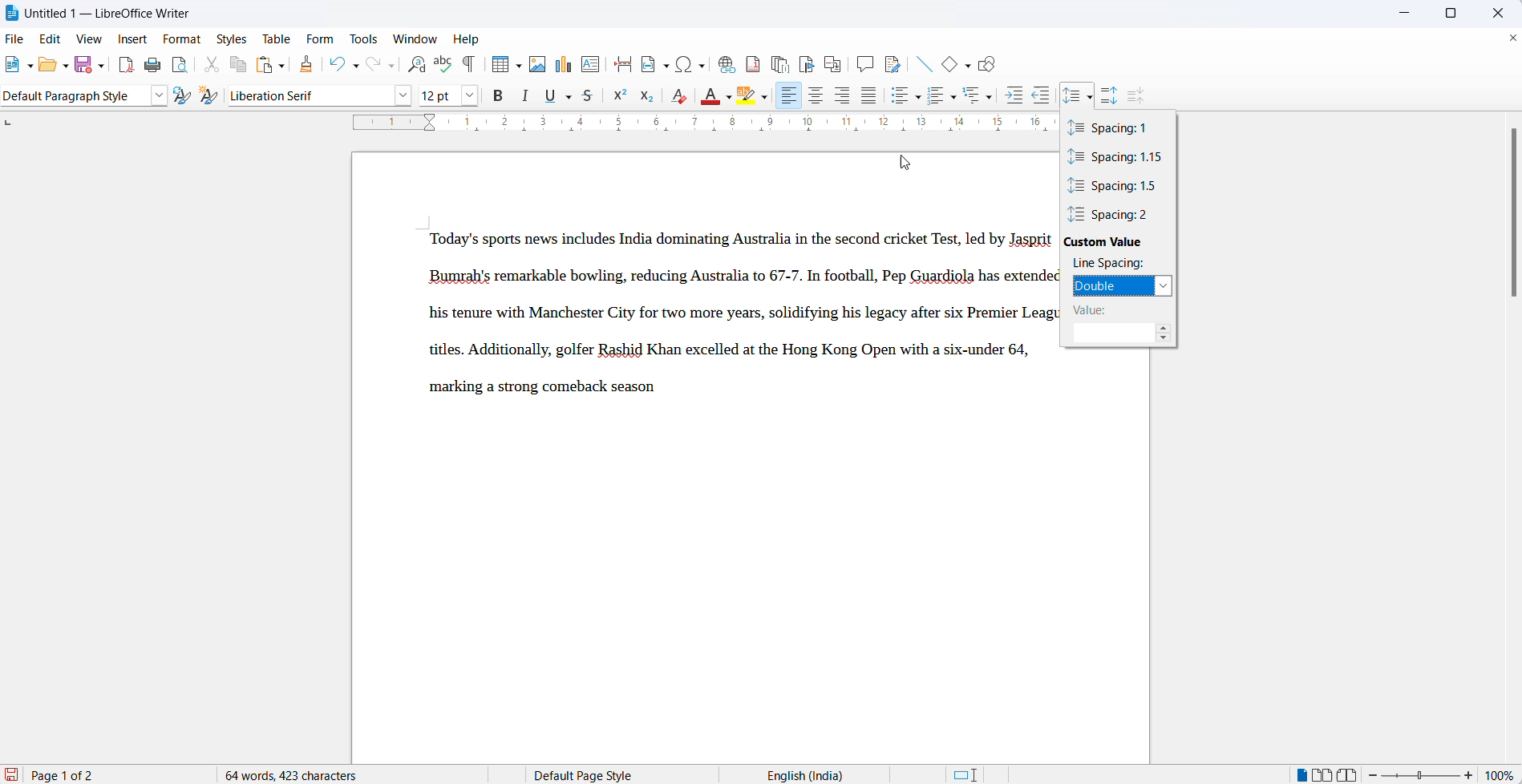 This screenshot has height=784, width=1522. I want to click on spacing value 1.5, so click(1116, 186).